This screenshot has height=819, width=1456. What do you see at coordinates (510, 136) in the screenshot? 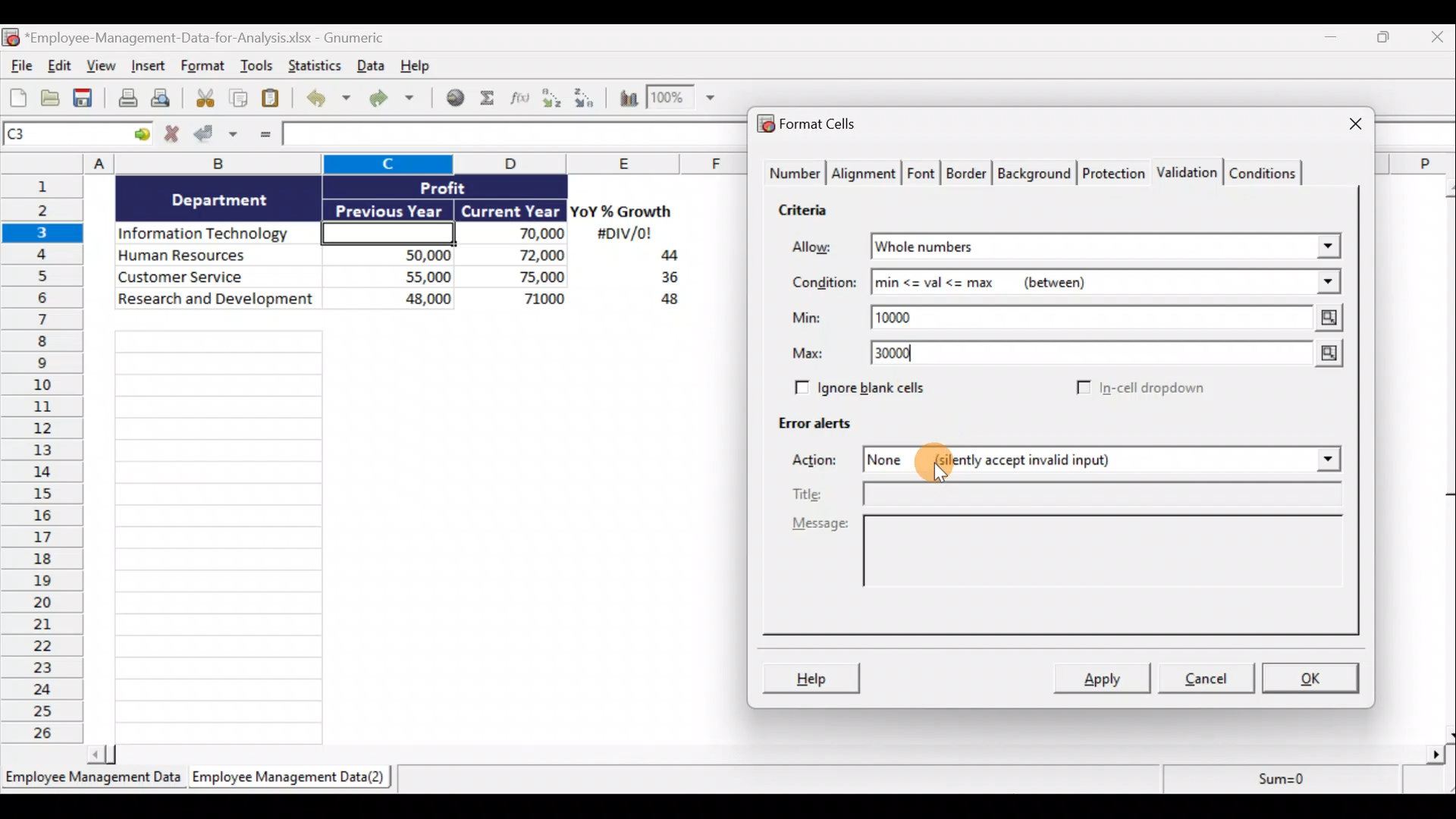
I see `Formula bar` at bounding box center [510, 136].